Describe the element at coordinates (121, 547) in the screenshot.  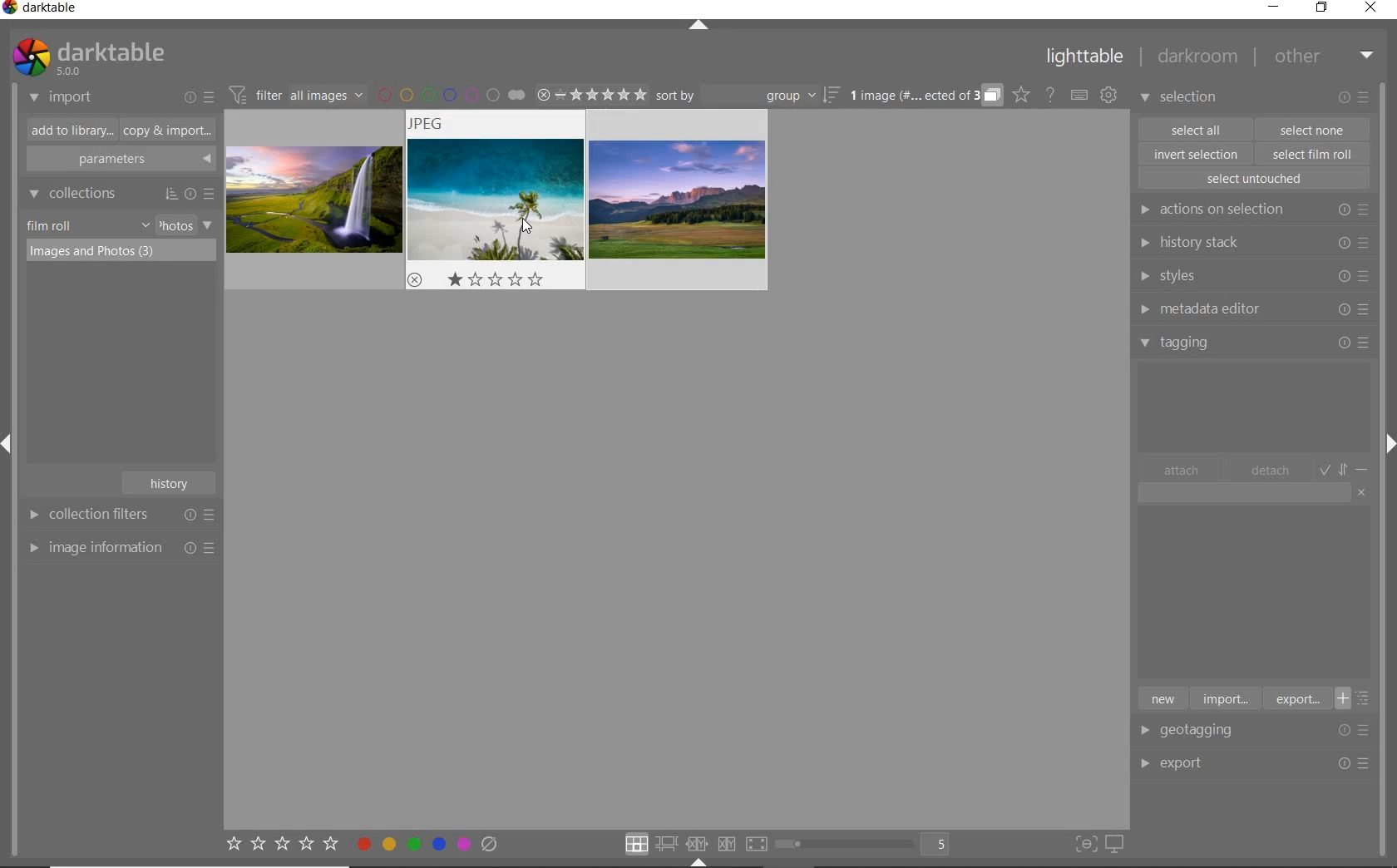
I see `image information` at that location.